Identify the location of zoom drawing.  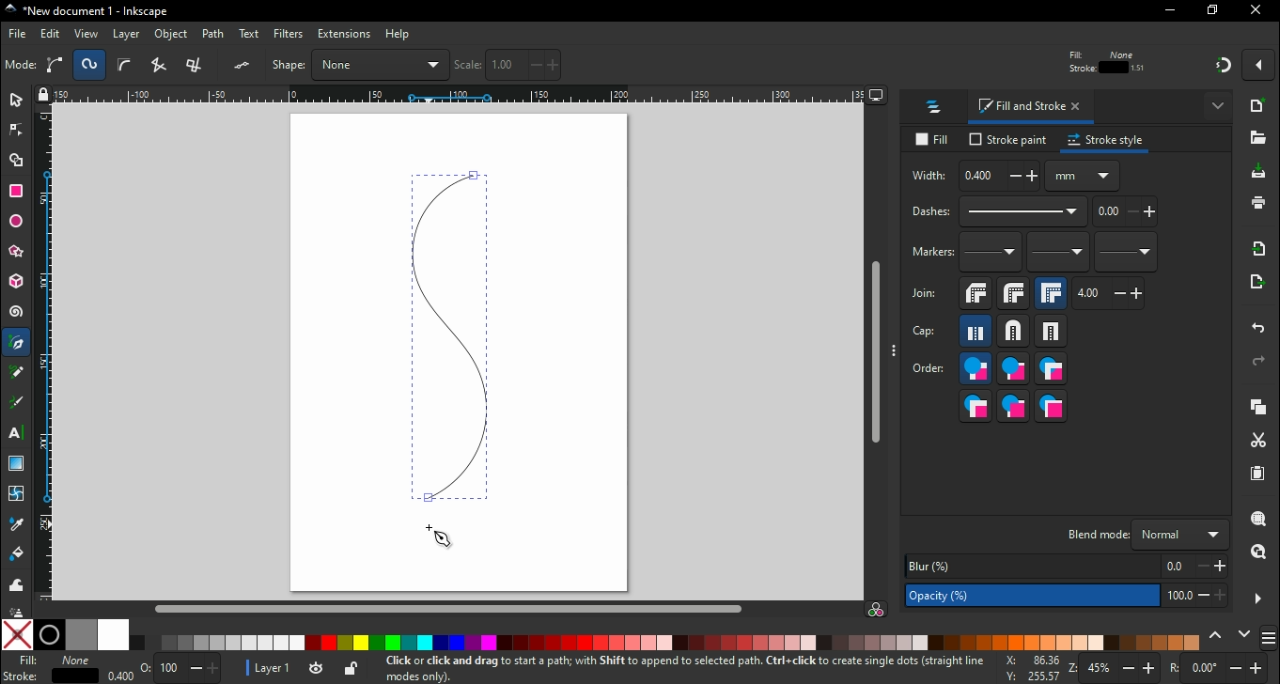
(1258, 553).